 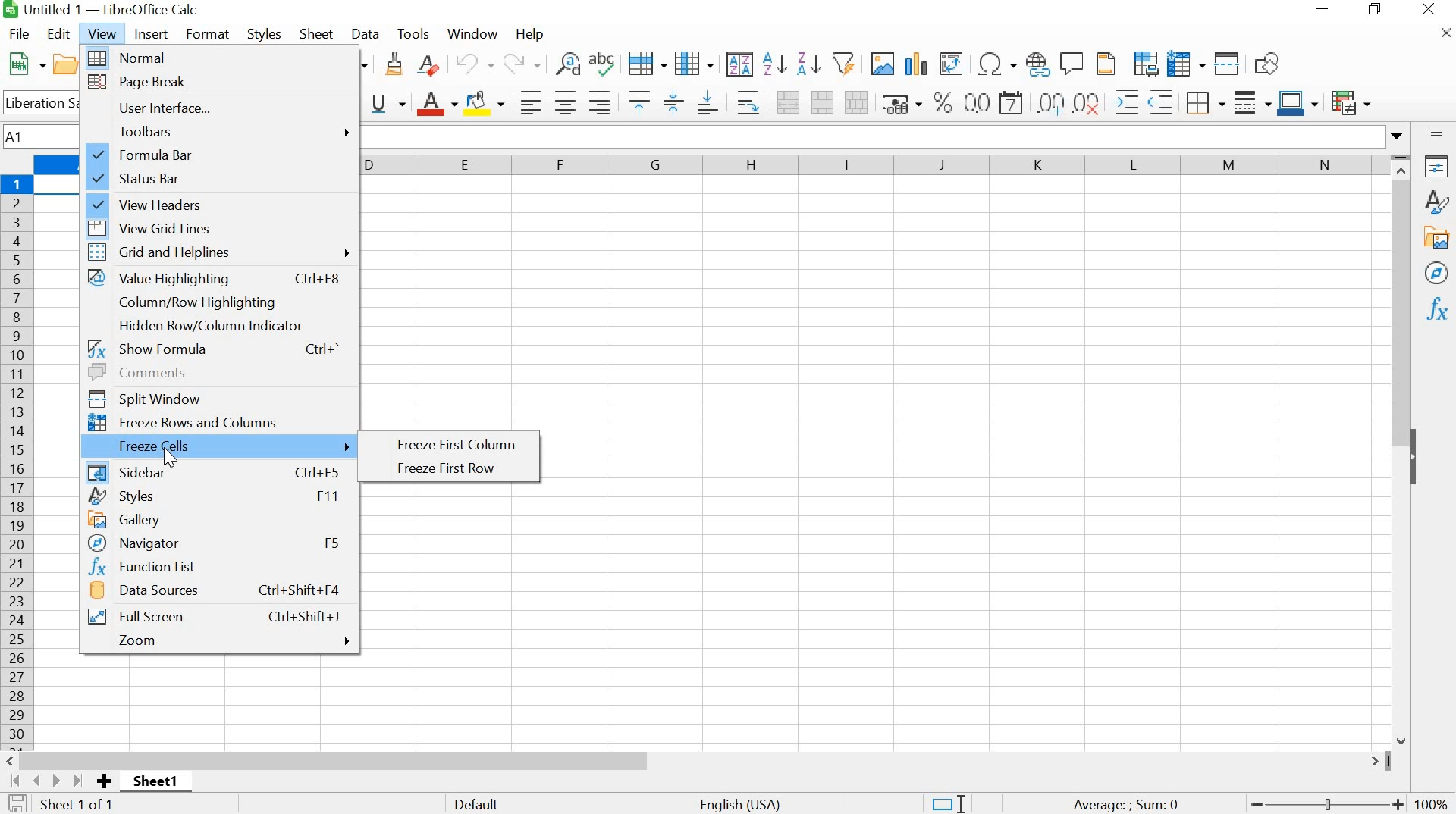 What do you see at coordinates (213, 567) in the screenshot?
I see `FUNCTION LIST` at bounding box center [213, 567].